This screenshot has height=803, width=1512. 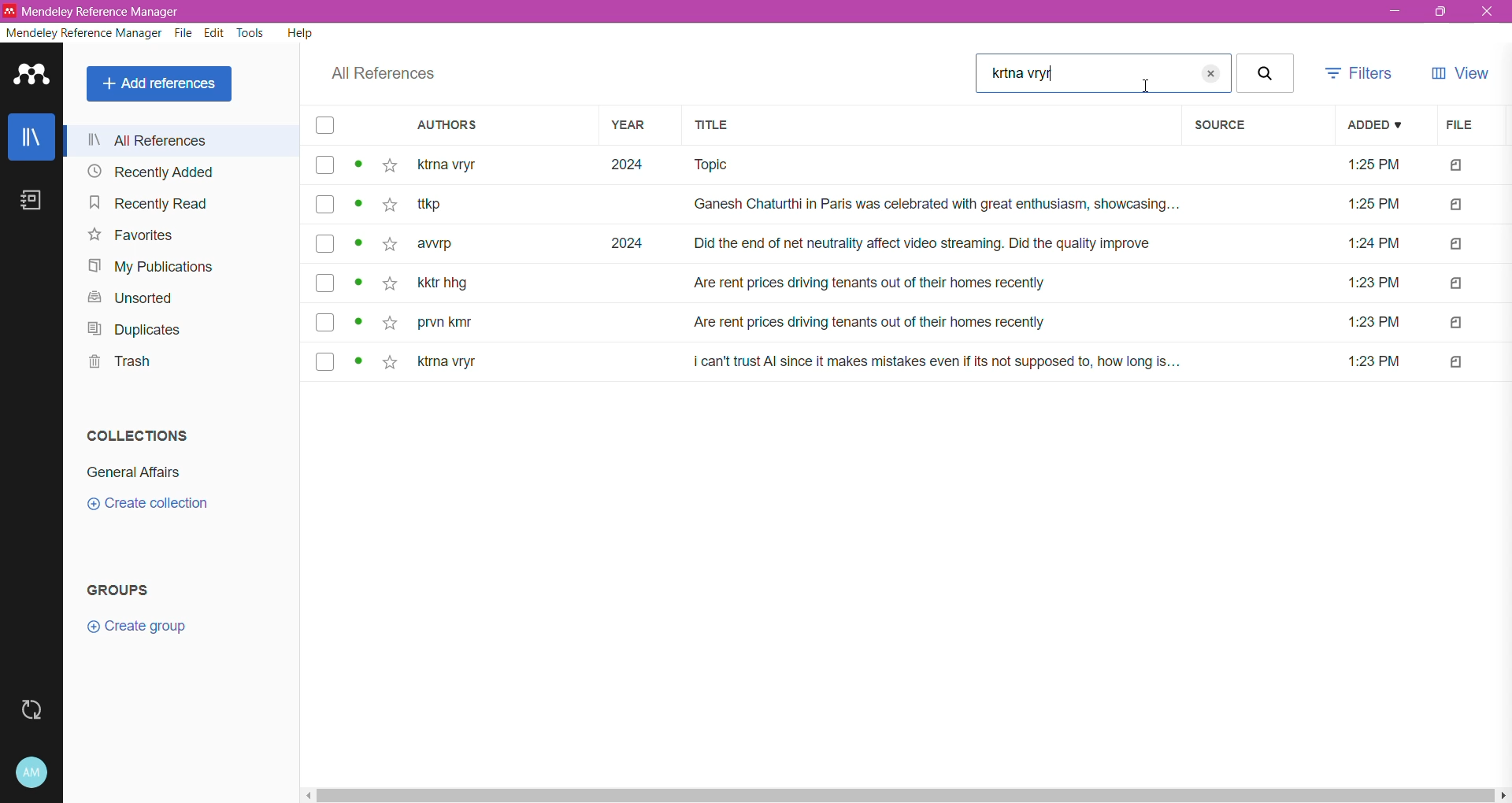 I want to click on Groups, so click(x=128, y=590).